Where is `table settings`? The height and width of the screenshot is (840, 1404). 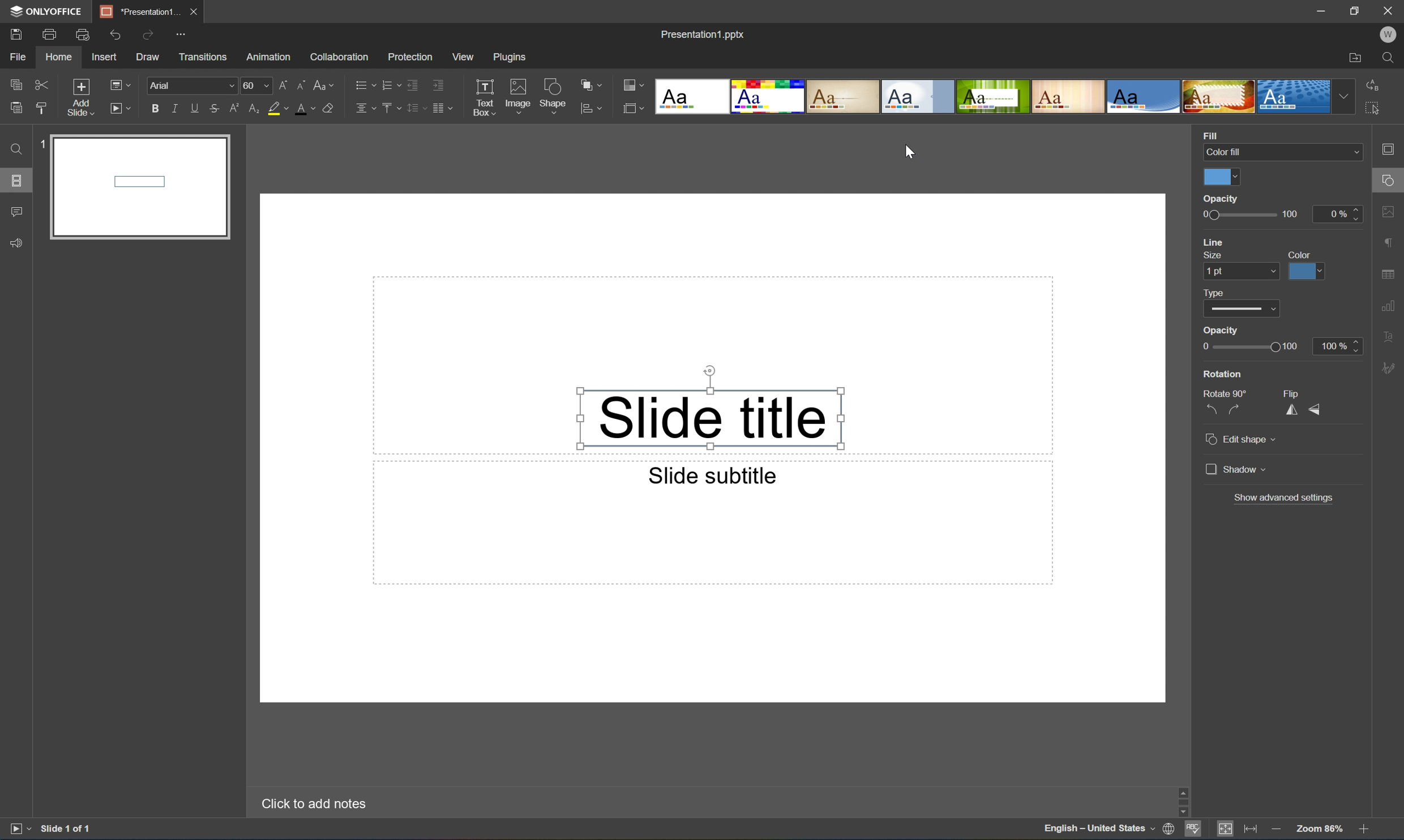 table settings is located at coordinates (1389, 272).